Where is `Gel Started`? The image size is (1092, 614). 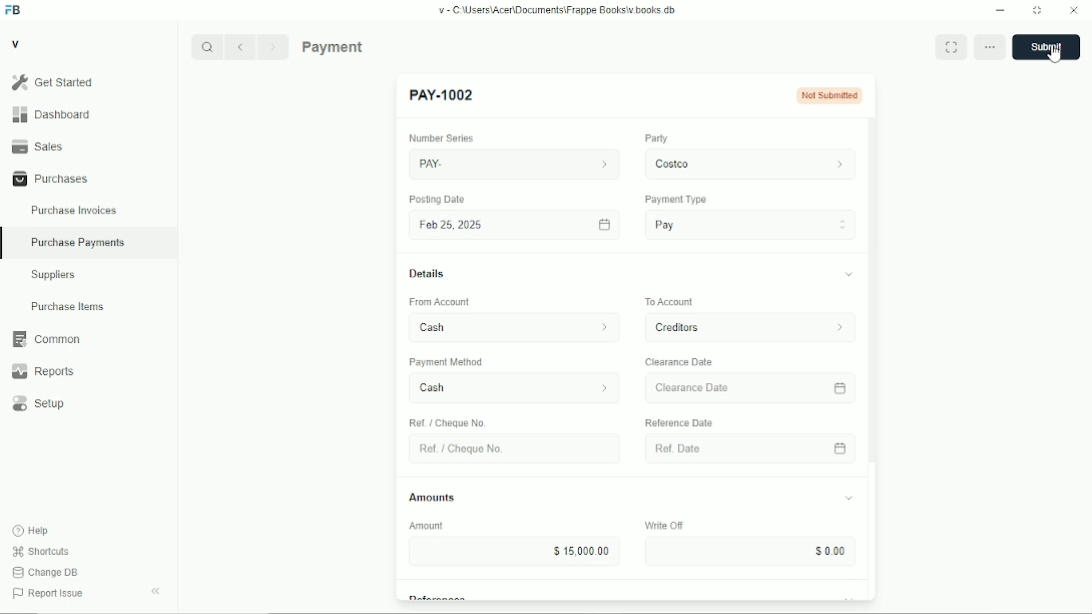 Gel Started is located at coordinates (88, 82).